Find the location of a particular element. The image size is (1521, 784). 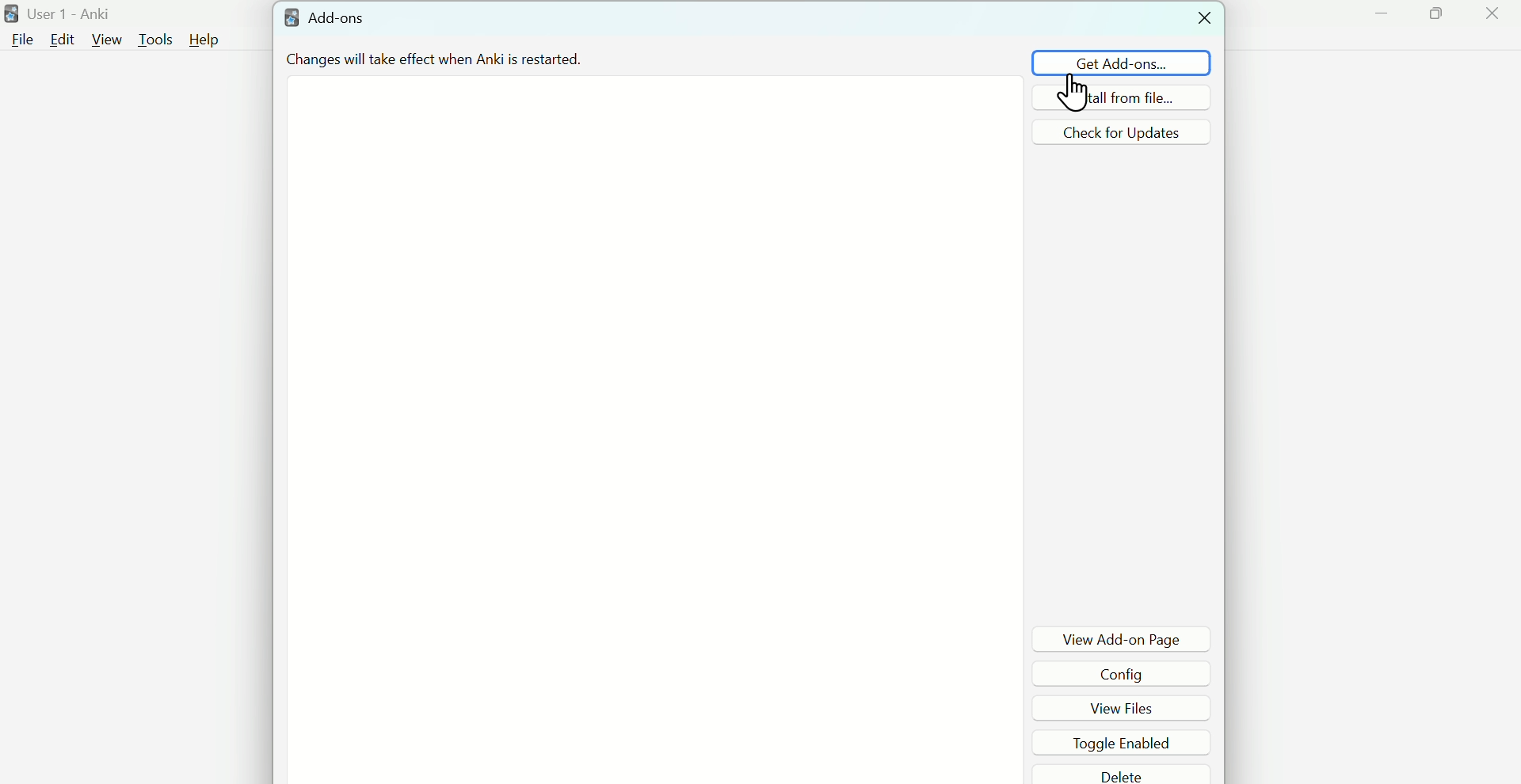

add Ons is located at coordinates (327, 18).